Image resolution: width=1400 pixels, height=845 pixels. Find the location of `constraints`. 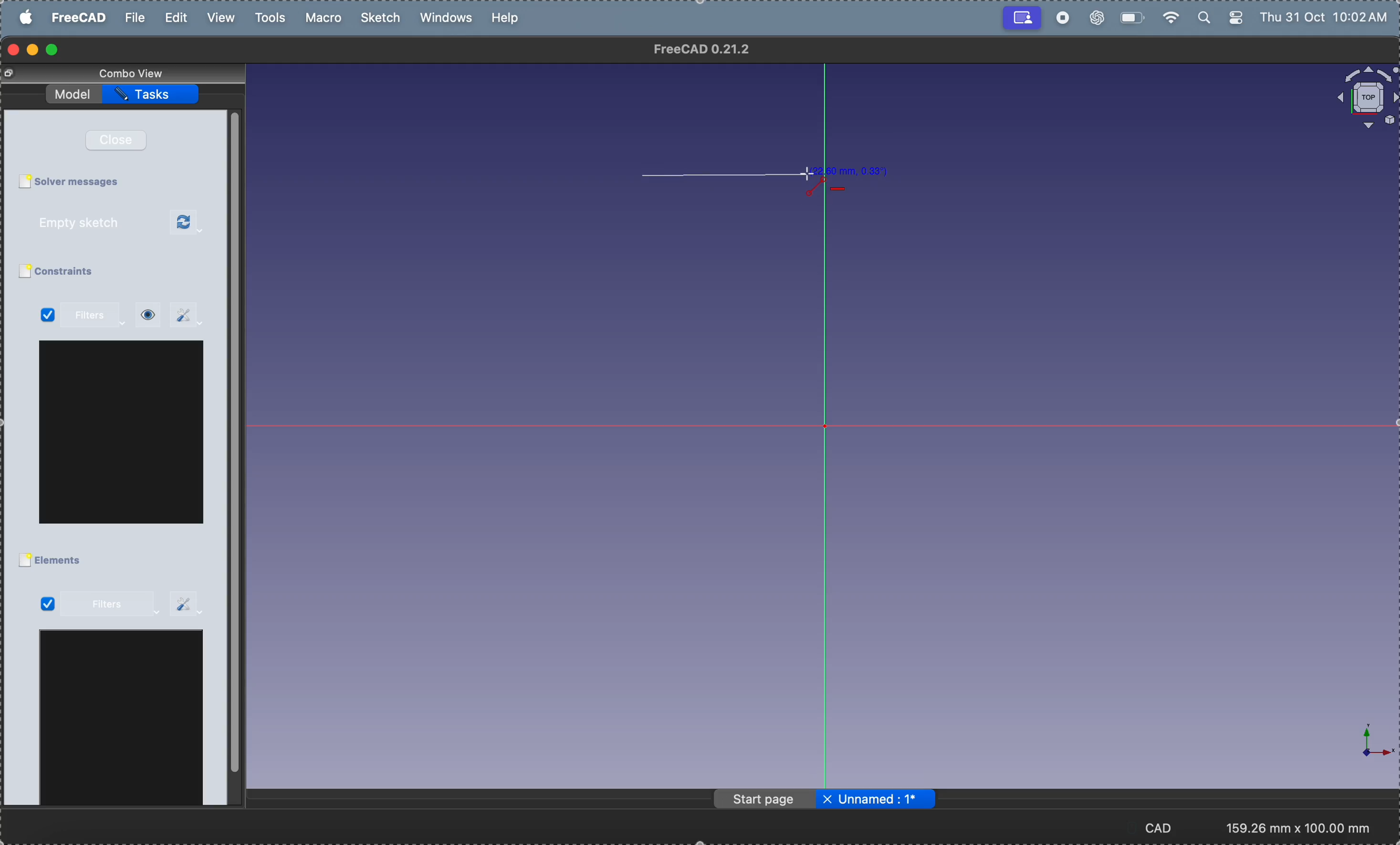

constraints is located at coordinates (79, 272).